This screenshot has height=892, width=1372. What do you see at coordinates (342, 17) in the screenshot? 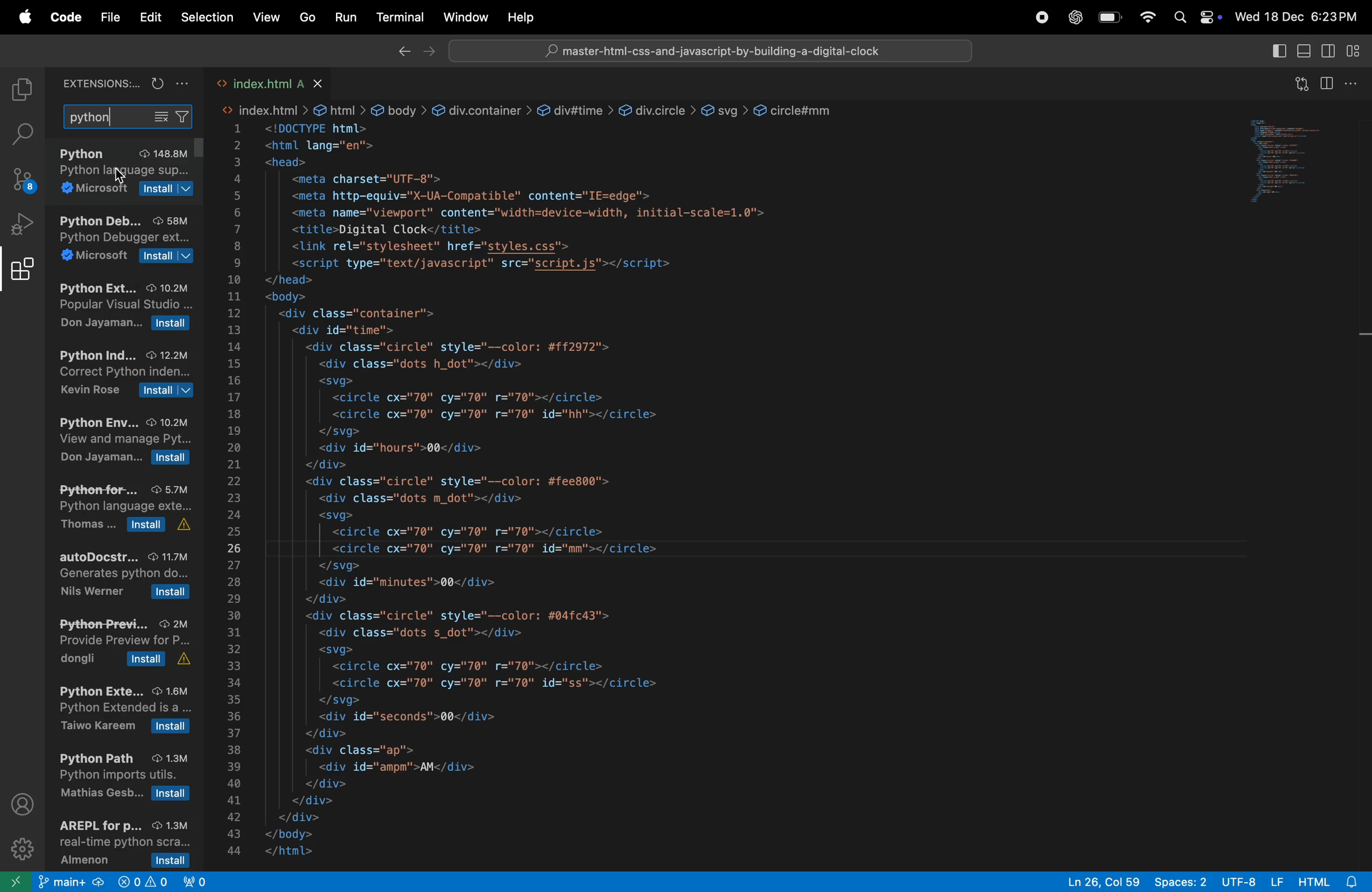
I see `run` at bounding box center [342, 17].